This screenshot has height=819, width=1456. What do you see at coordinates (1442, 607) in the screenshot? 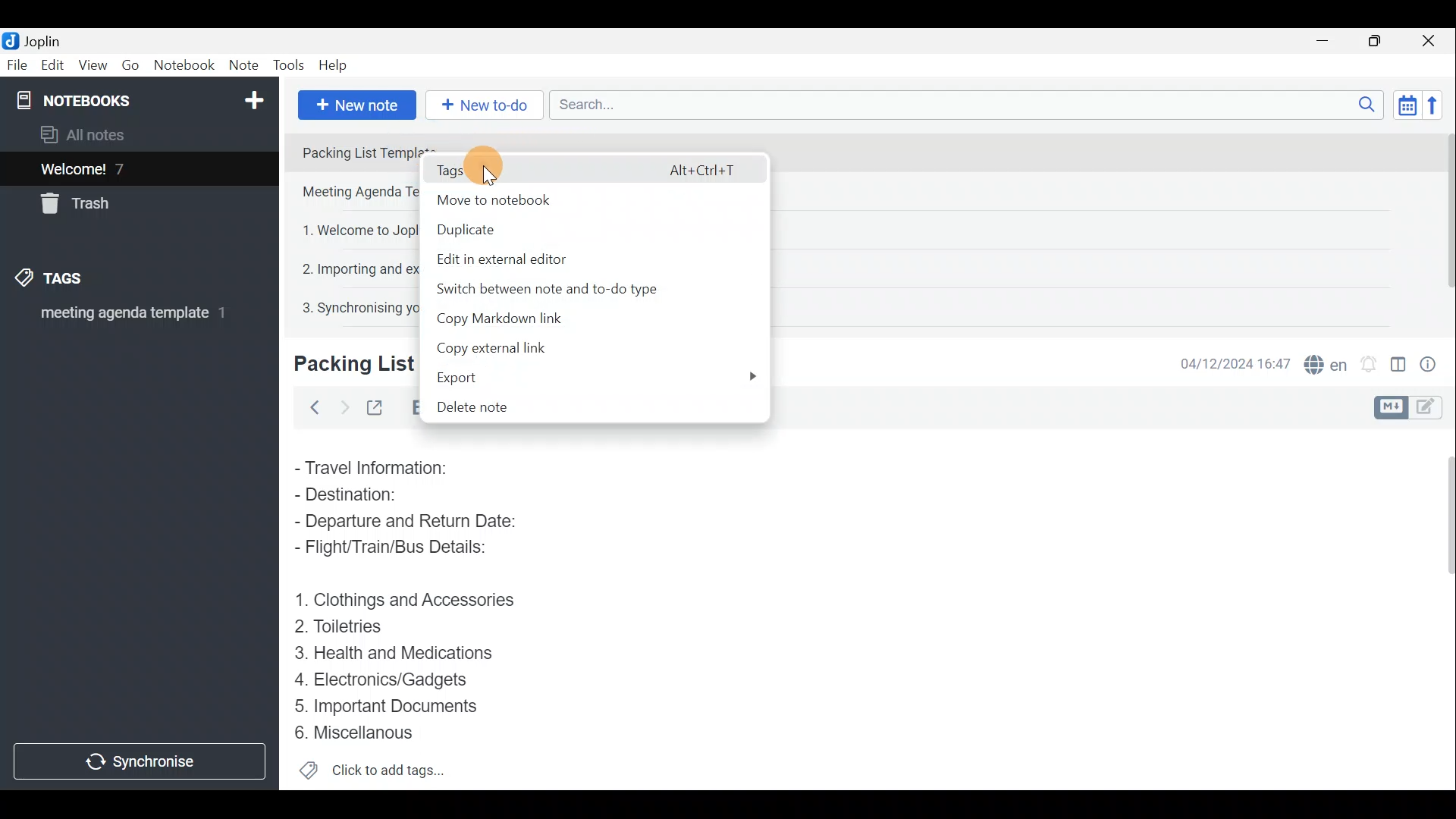
I see `Scroll bar` at bounding box center [1442, 607].